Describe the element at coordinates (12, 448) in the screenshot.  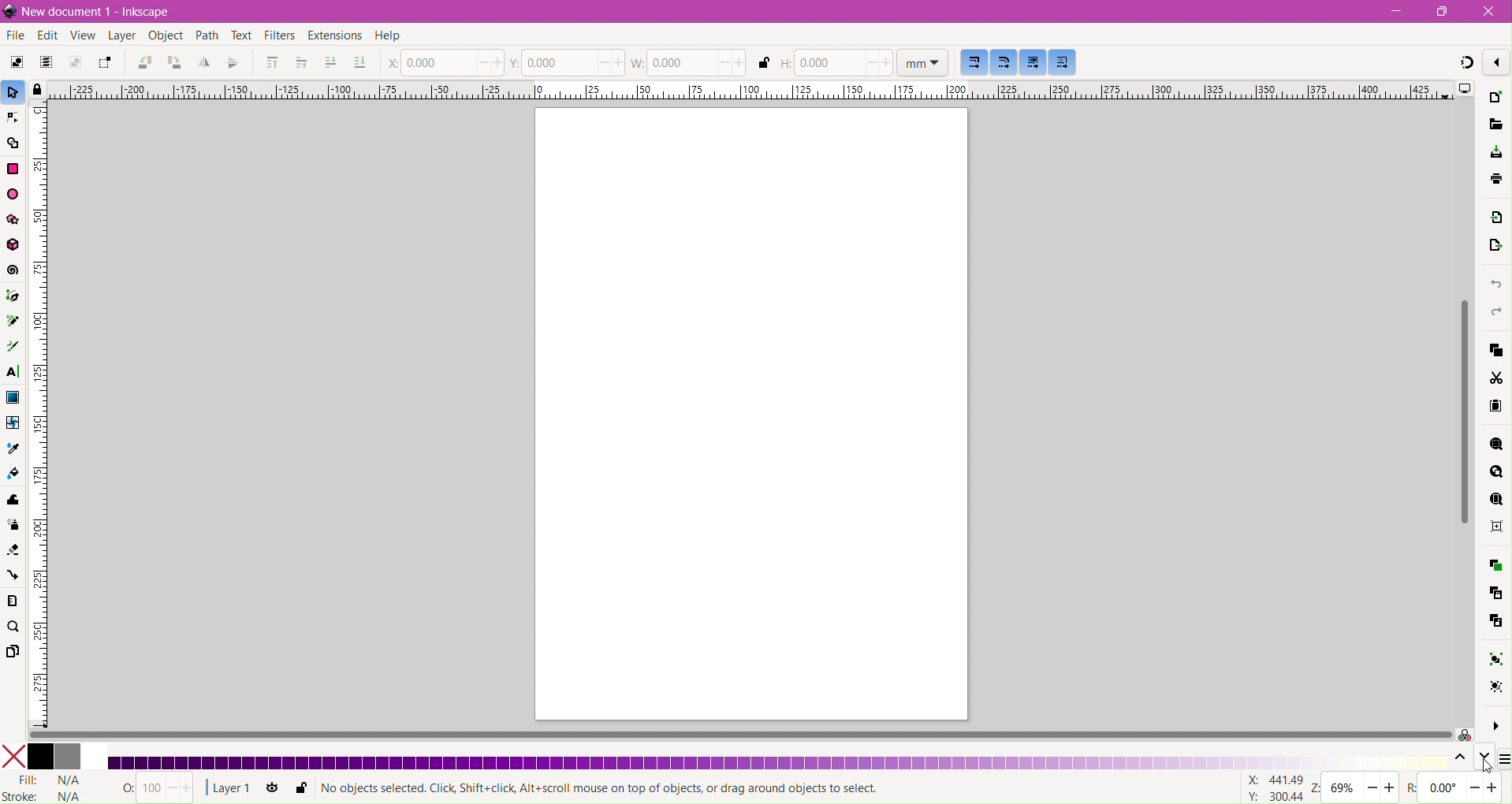
I see `Dropper Tool` at that location.